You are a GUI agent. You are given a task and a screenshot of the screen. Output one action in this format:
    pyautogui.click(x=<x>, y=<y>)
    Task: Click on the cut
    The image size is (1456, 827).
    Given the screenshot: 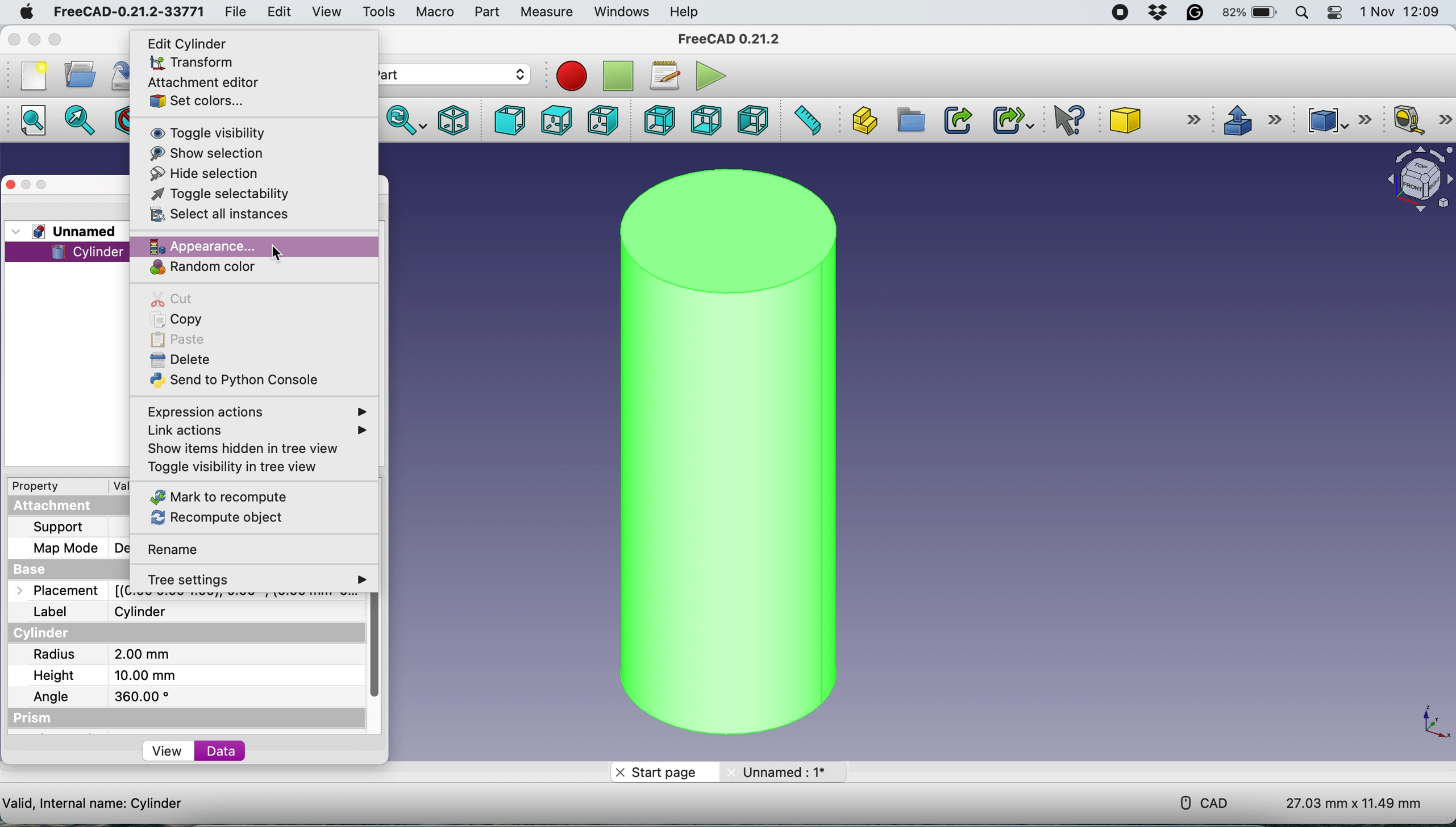 What is the action you would take?
    pyautogui.click(x=178, y=297)
    